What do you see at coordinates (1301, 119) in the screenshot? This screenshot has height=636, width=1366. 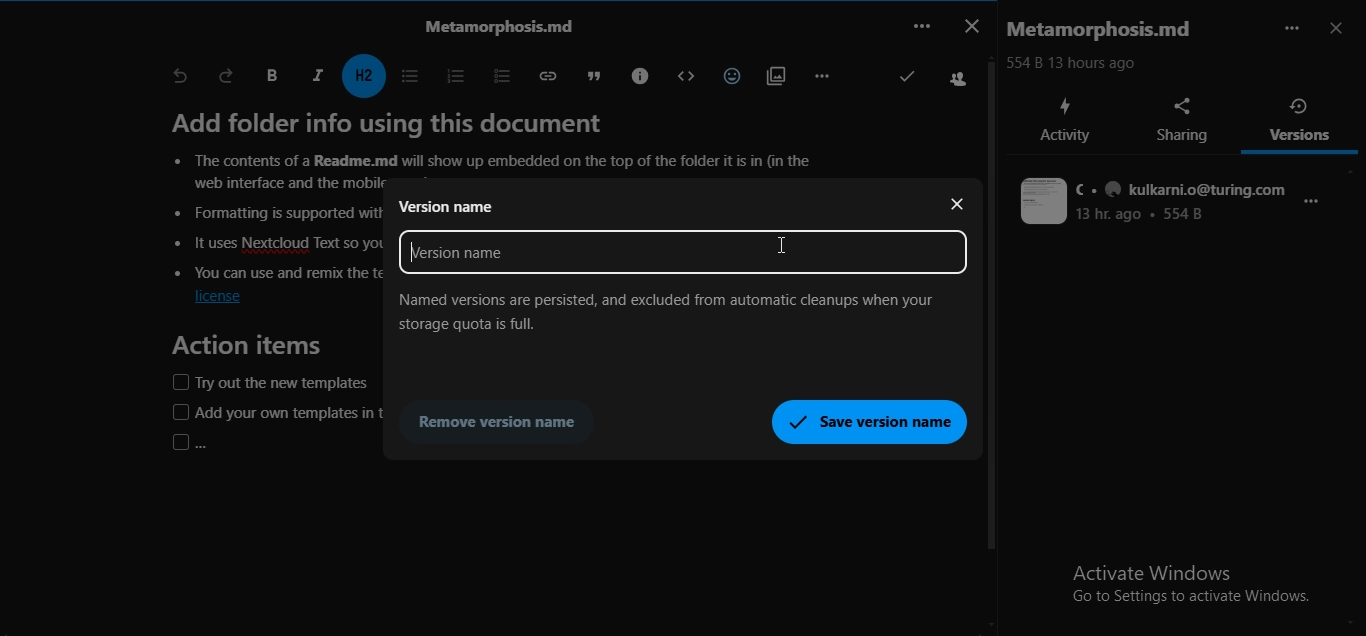 I see `versions` at bounding box center [1301, 119].